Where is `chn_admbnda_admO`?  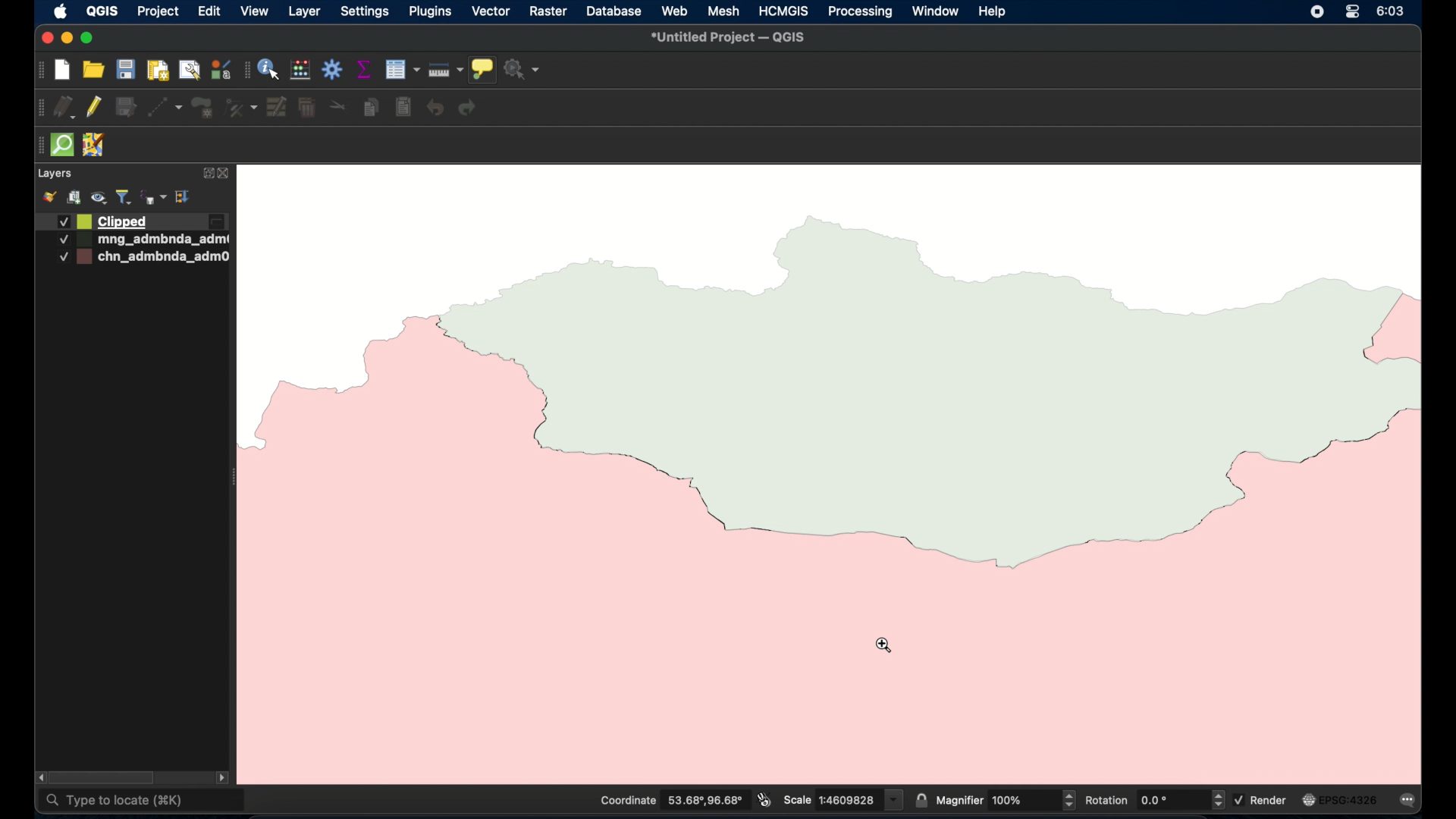 chn_admbnda_admO is located at coordinates (143, 257).